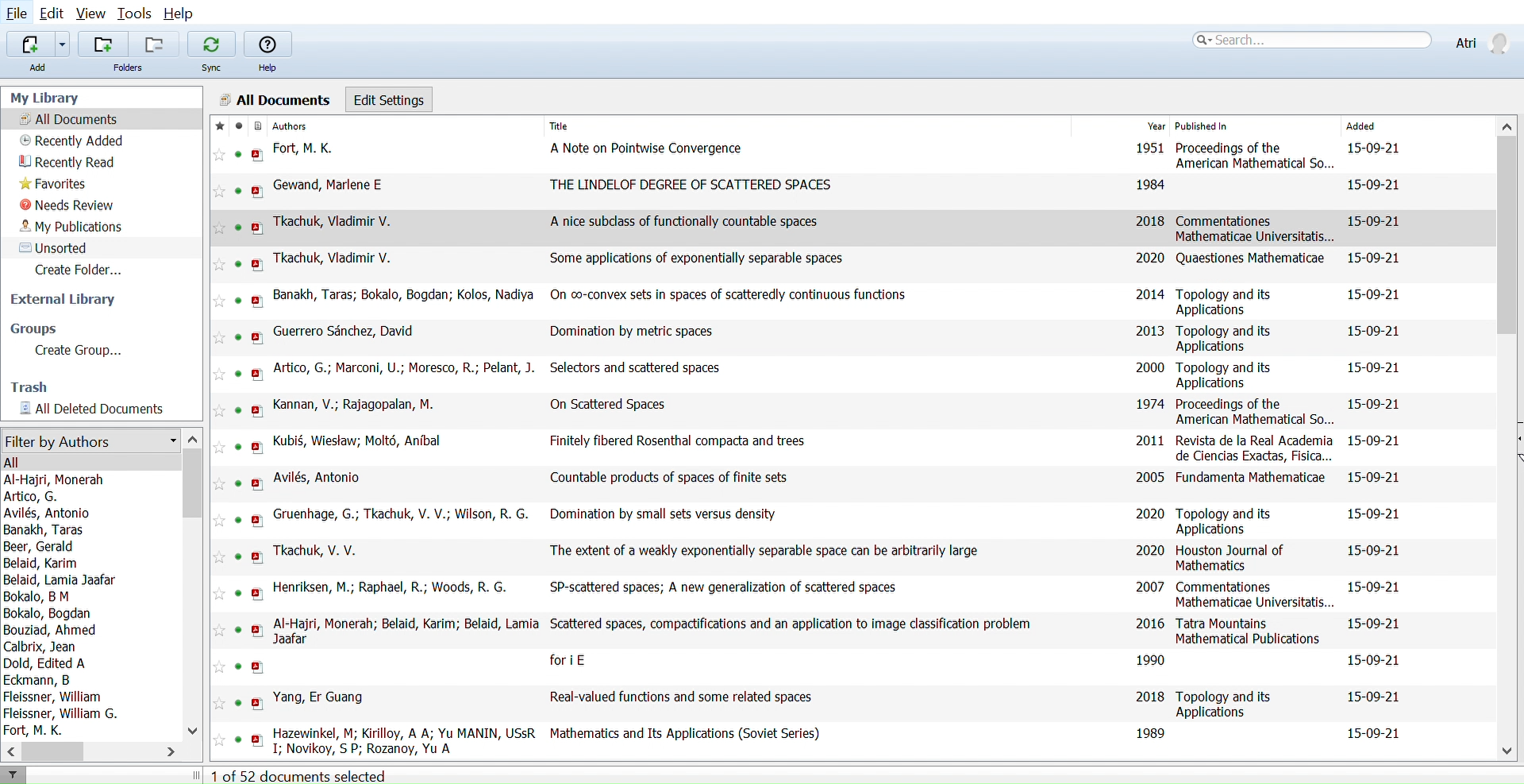 This screenshot has height=784, width=1524. I want to click on Tools, so click(136, 14).